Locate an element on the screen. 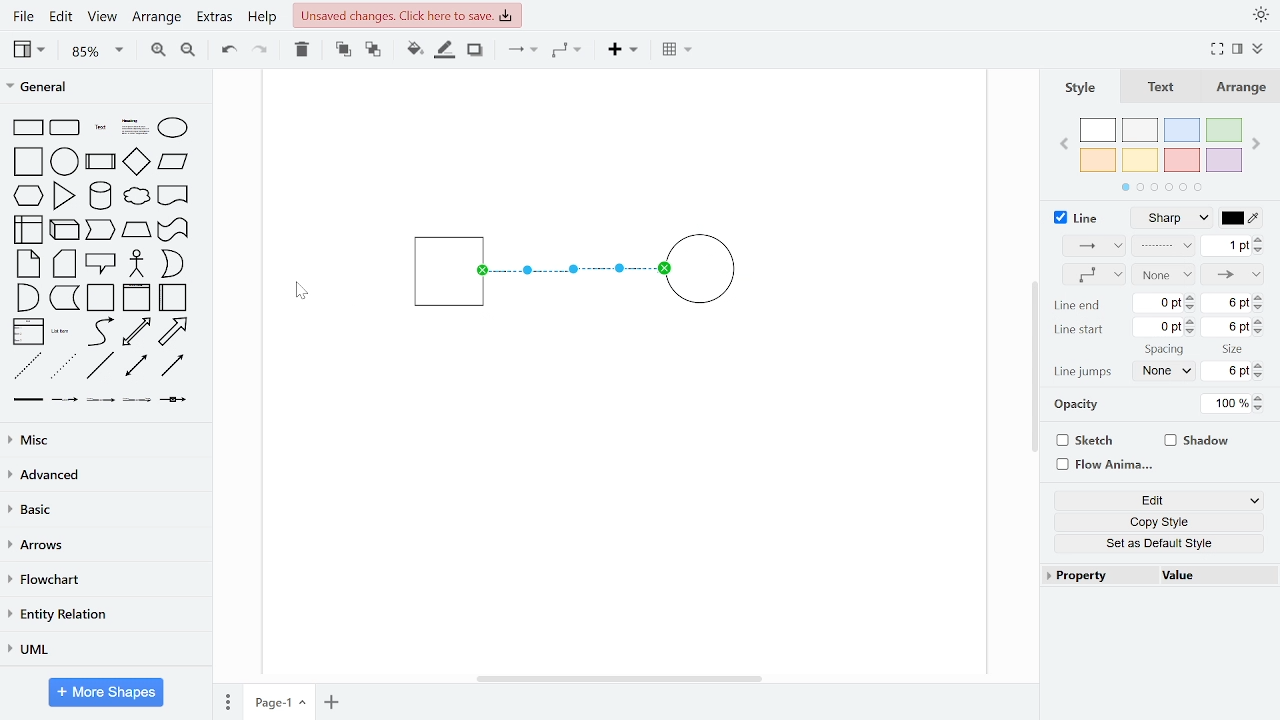  link is located at coordinates (27, 400).